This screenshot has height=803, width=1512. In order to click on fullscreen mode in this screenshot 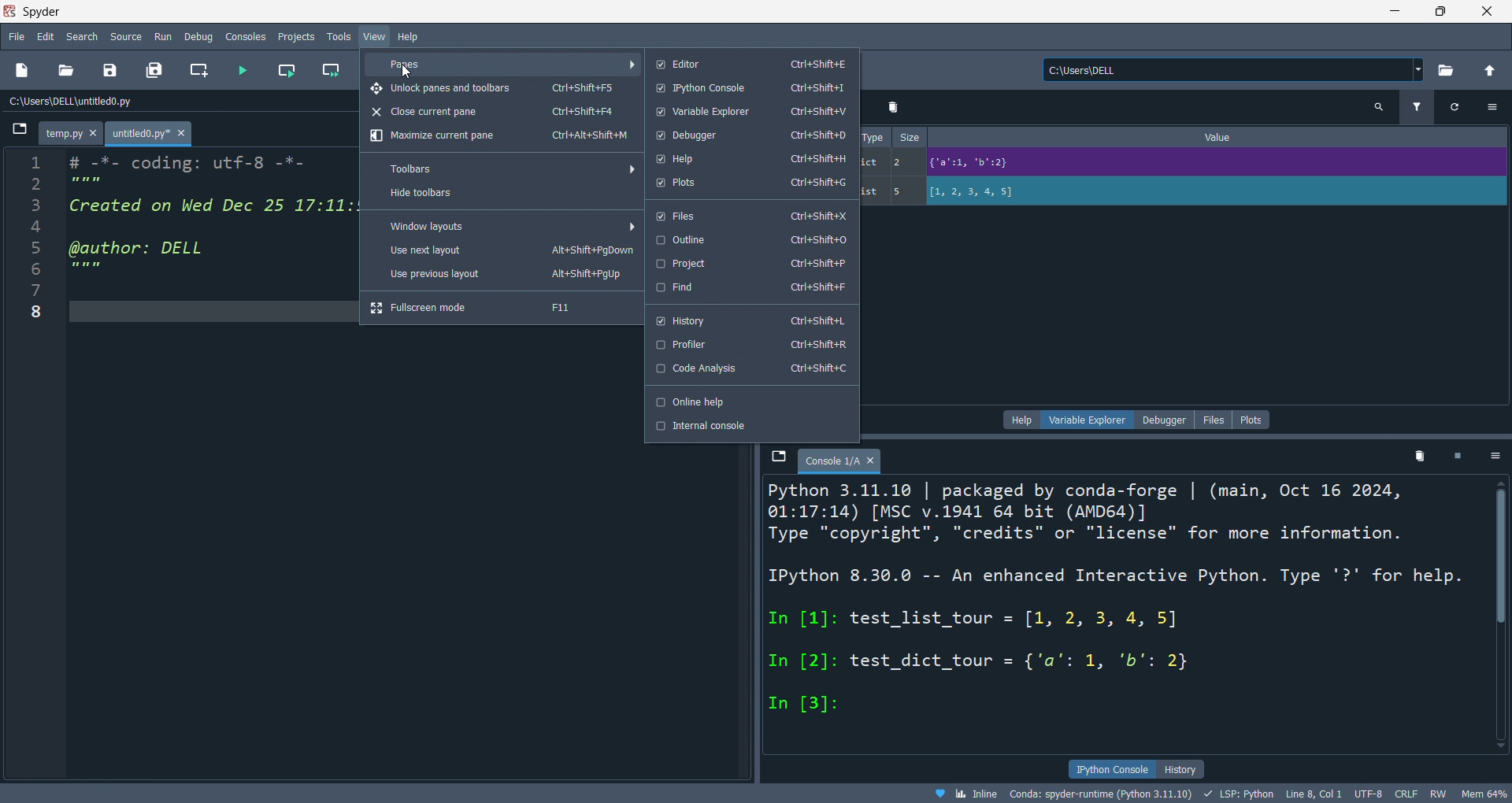, I will do `click(500, 308)`.